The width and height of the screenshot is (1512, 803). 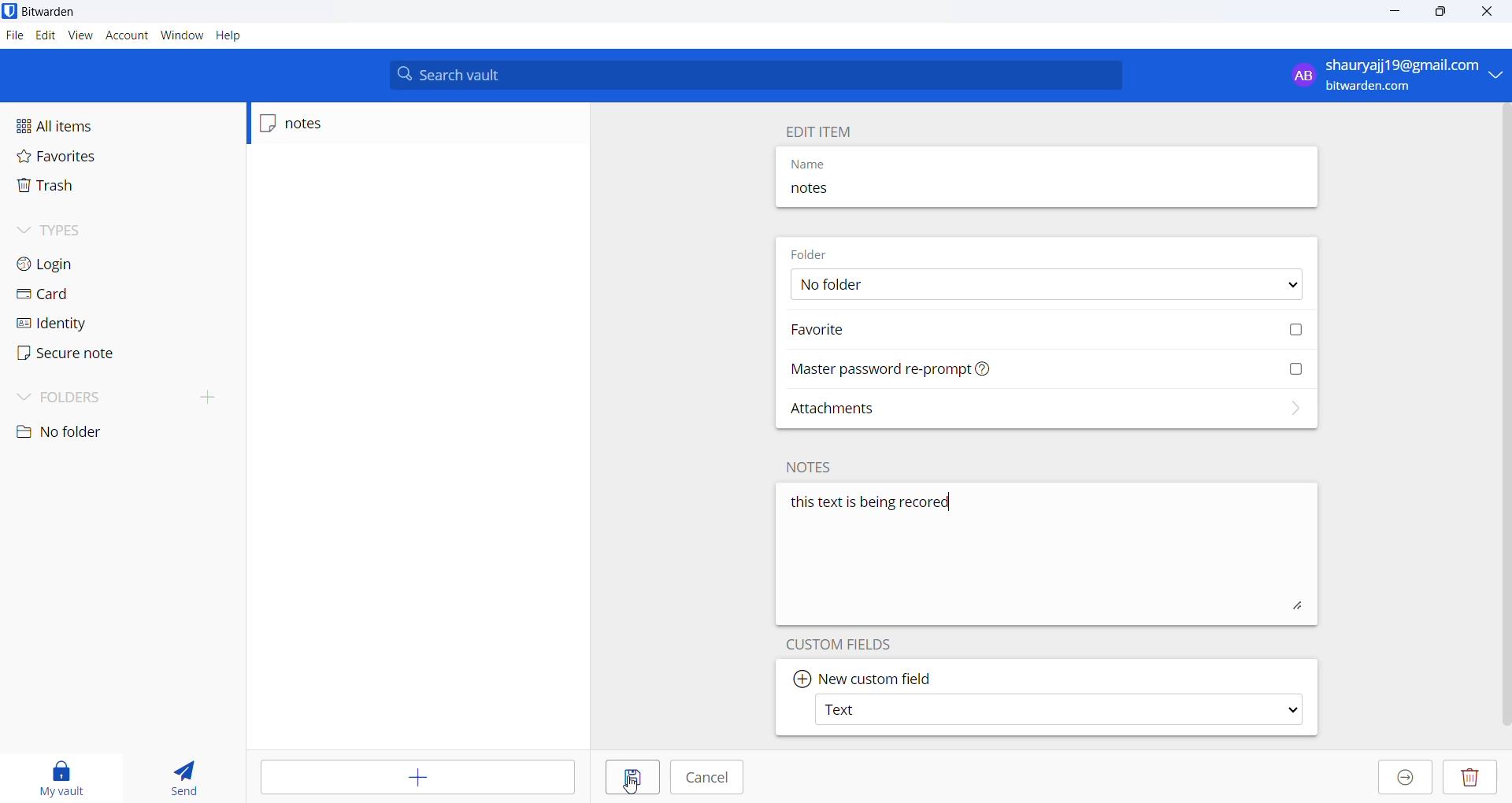 What do you see at coordinates (229, 37) in the screenshot?
I see `help` at bounding box center [229, 37].